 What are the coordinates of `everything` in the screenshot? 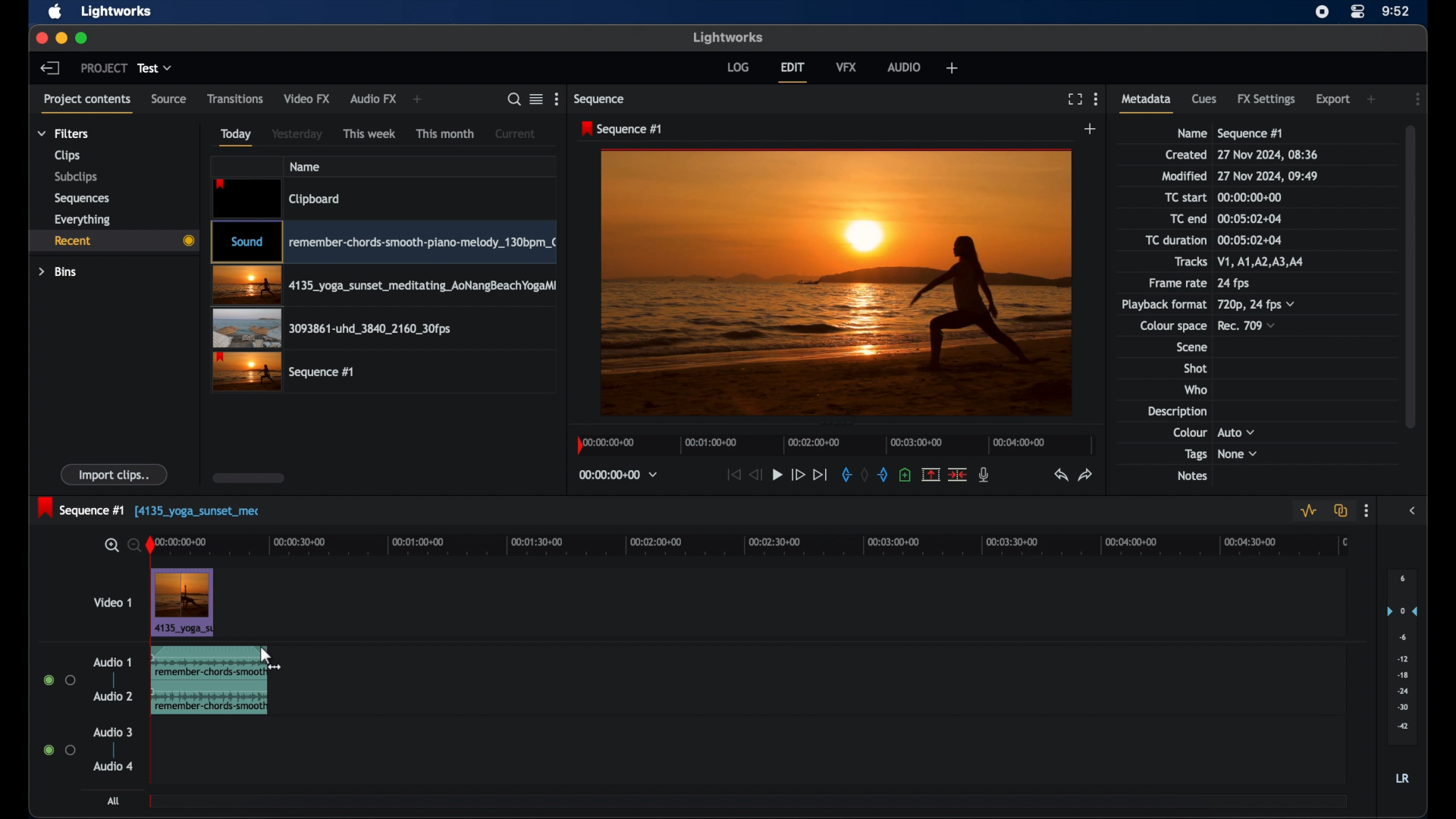 It's located at (82, 220).